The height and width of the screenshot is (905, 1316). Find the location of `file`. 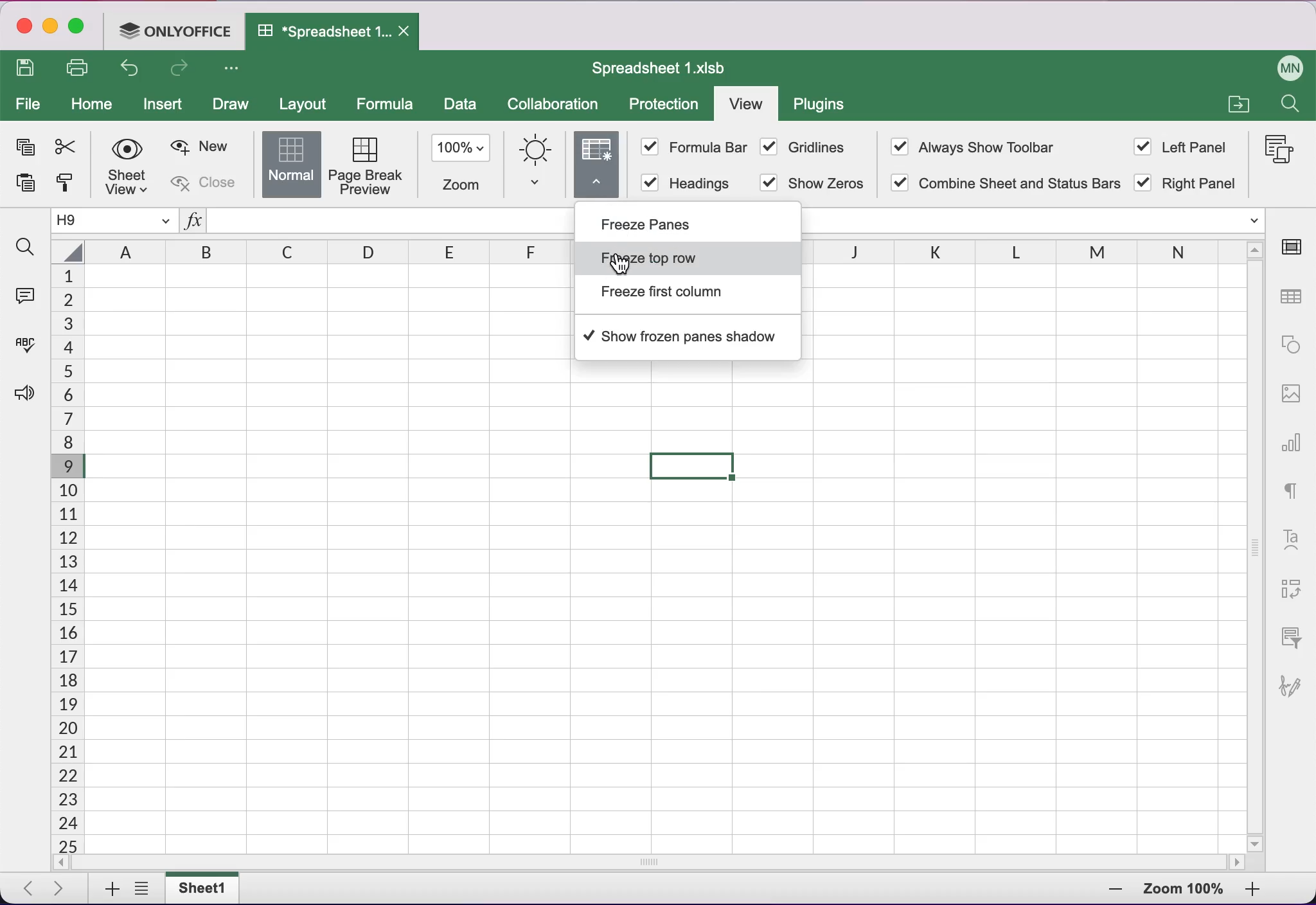

file is located at coordinates (28, 103).